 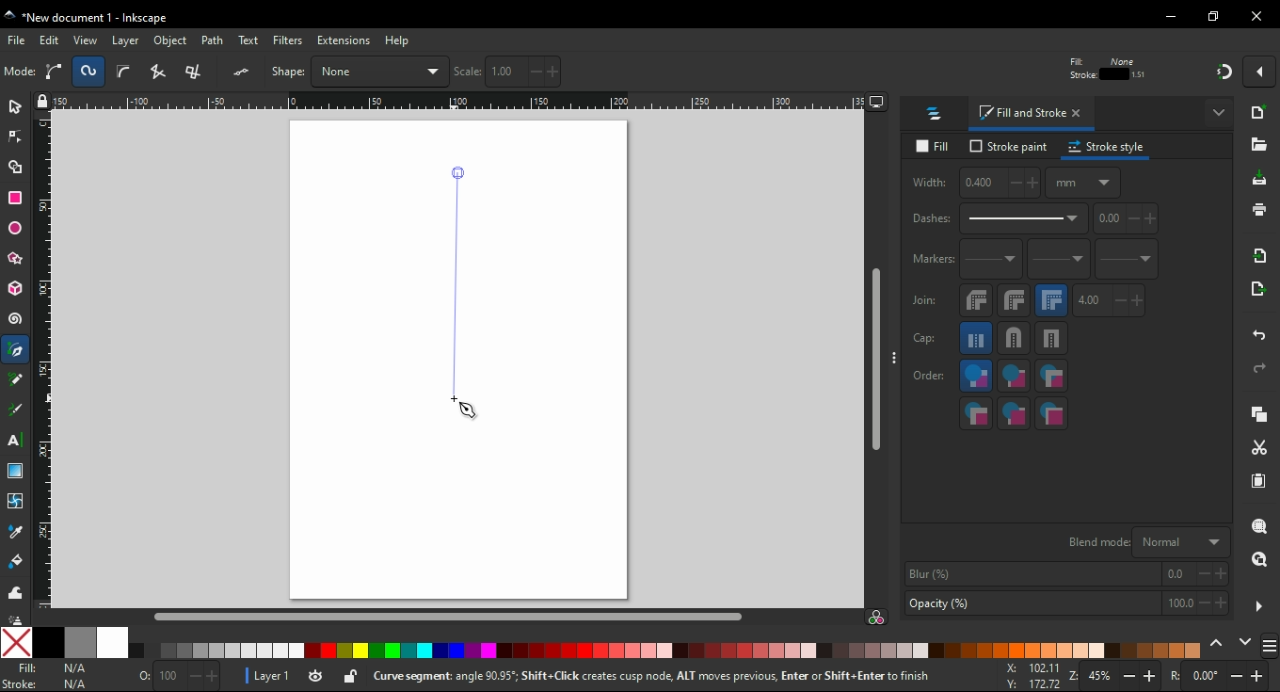 I want to click on horizontal coordinates, so click(x=522, y=72).